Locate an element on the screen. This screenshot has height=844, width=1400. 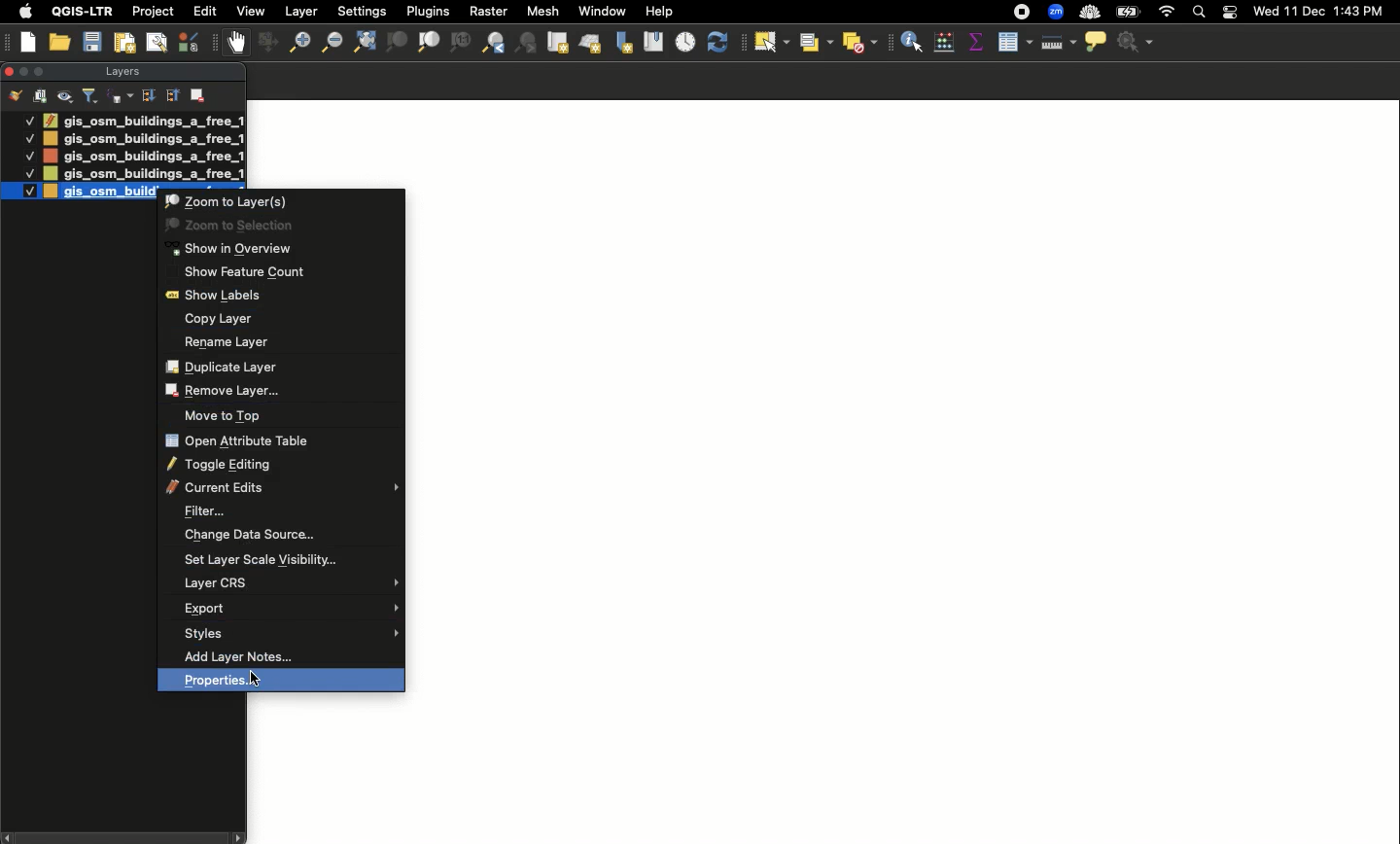
gis_osm_buildings_a_free_1 is located at coordinates (143, 120).